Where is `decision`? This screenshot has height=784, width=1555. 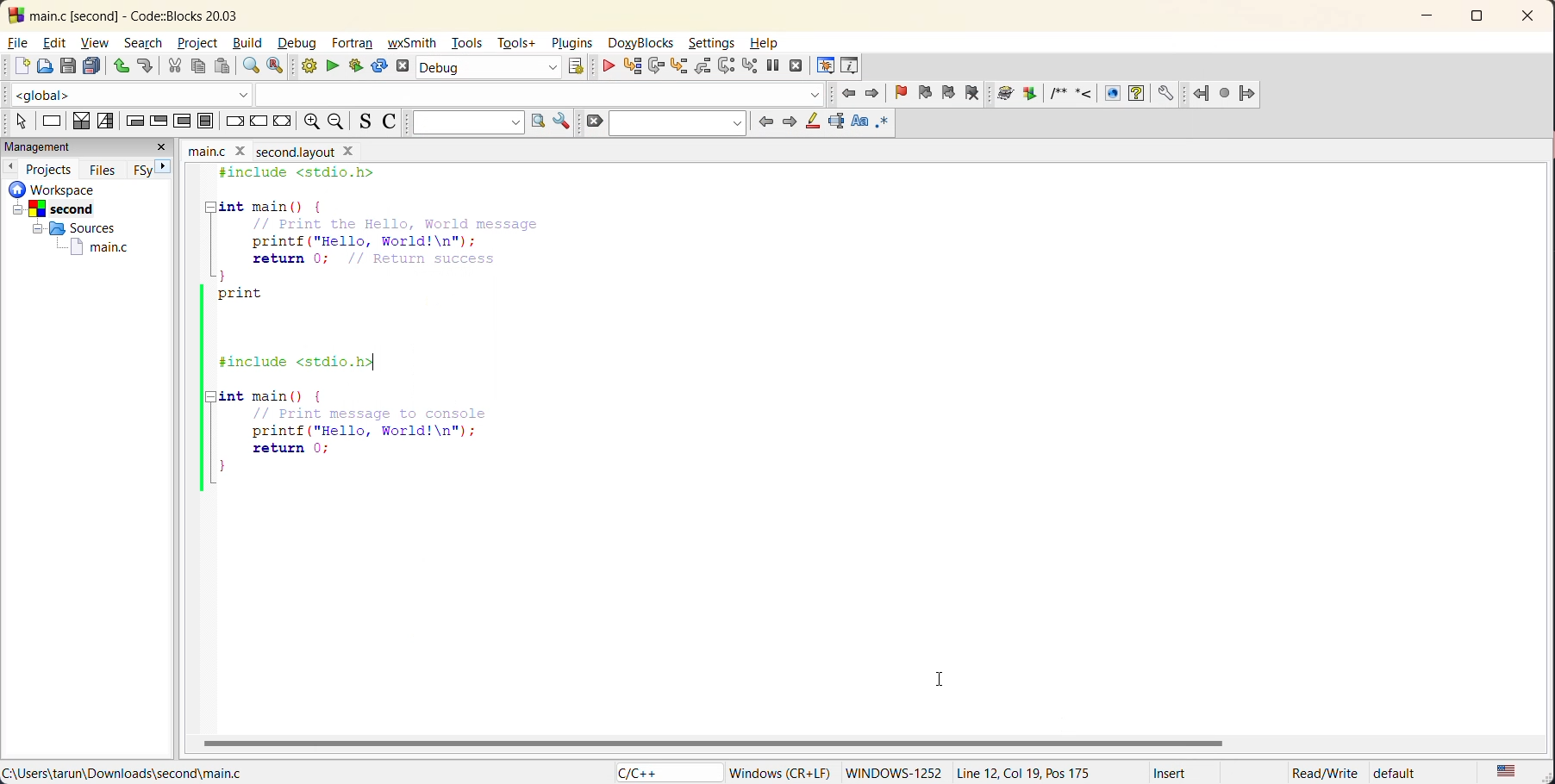 decision is located at coordinates (78, 121).